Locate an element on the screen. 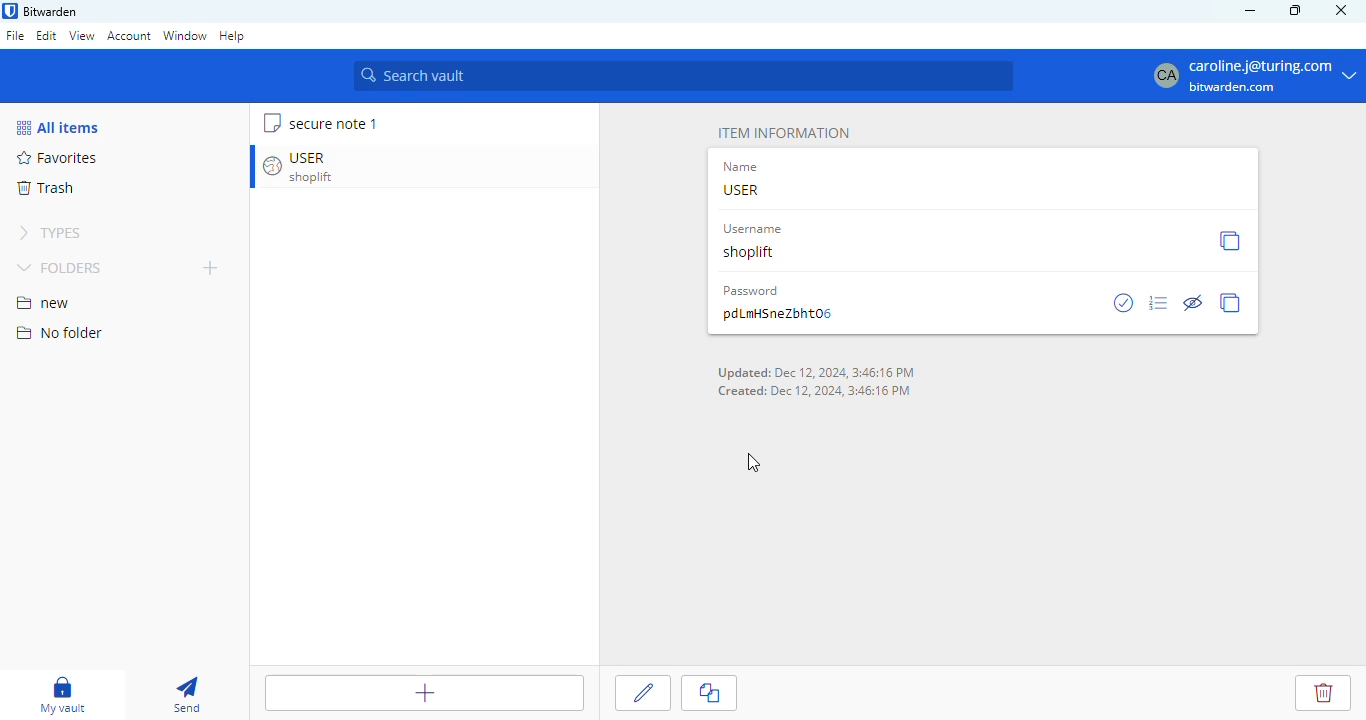 Image resolution: width=1366 pixels, height=720 pixels. help is located at coordinates (232, 35).